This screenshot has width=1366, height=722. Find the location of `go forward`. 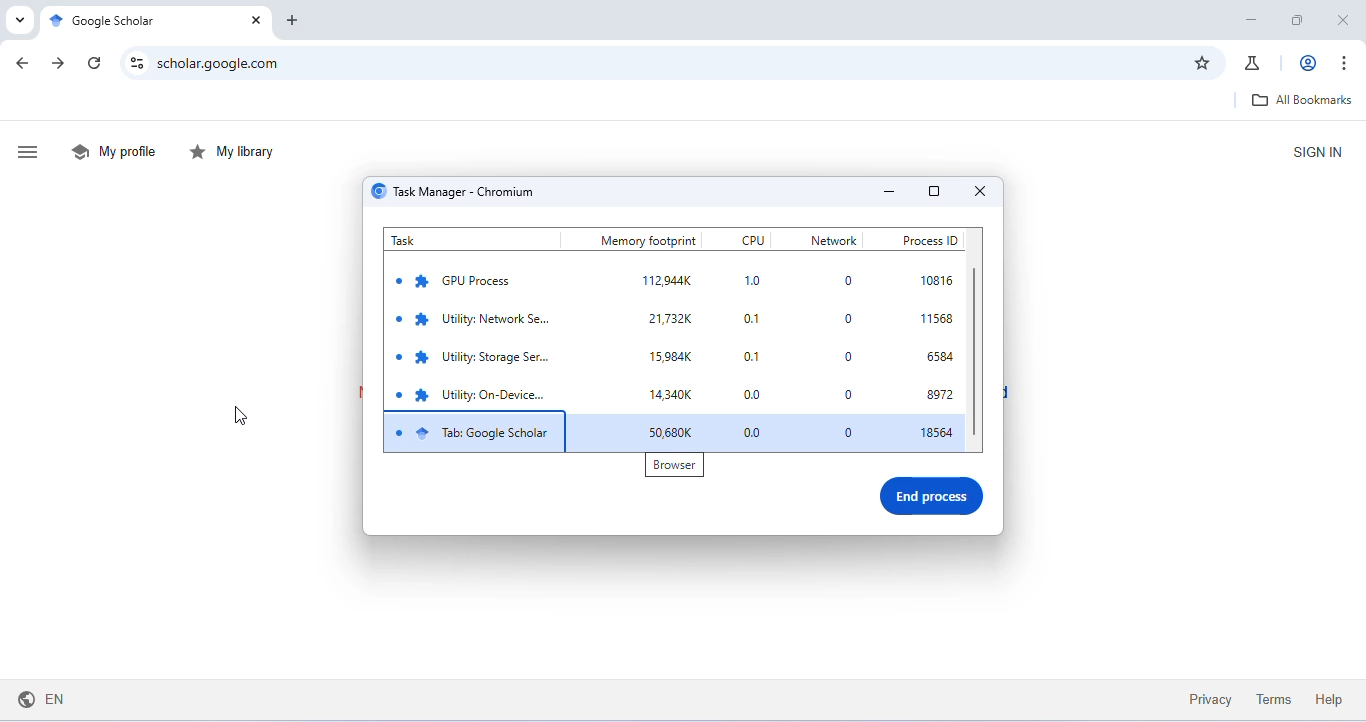

go forward is located at coordinates (60, 63).